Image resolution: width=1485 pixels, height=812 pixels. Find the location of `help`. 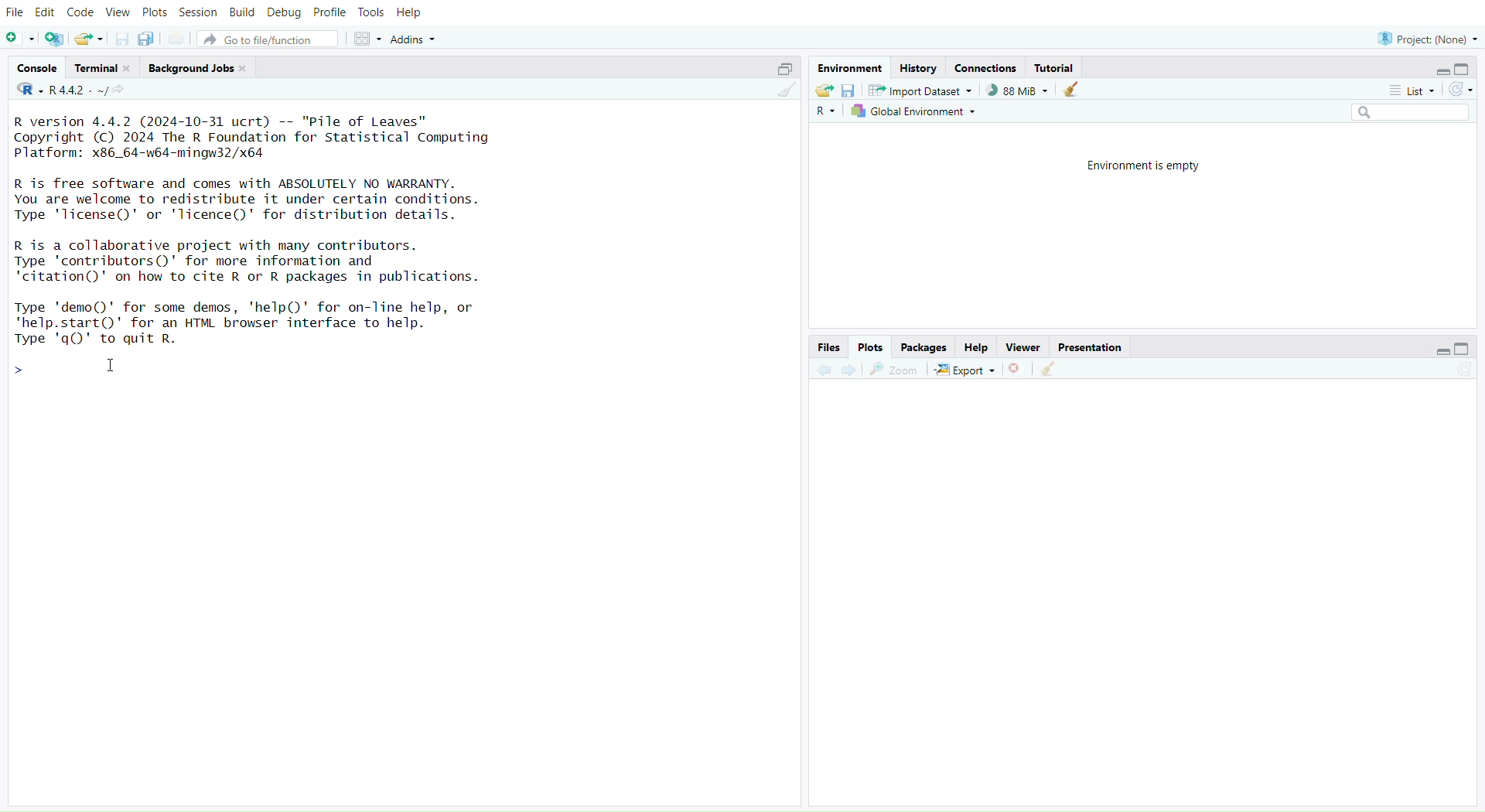

help is located at coordinates (976, 347).